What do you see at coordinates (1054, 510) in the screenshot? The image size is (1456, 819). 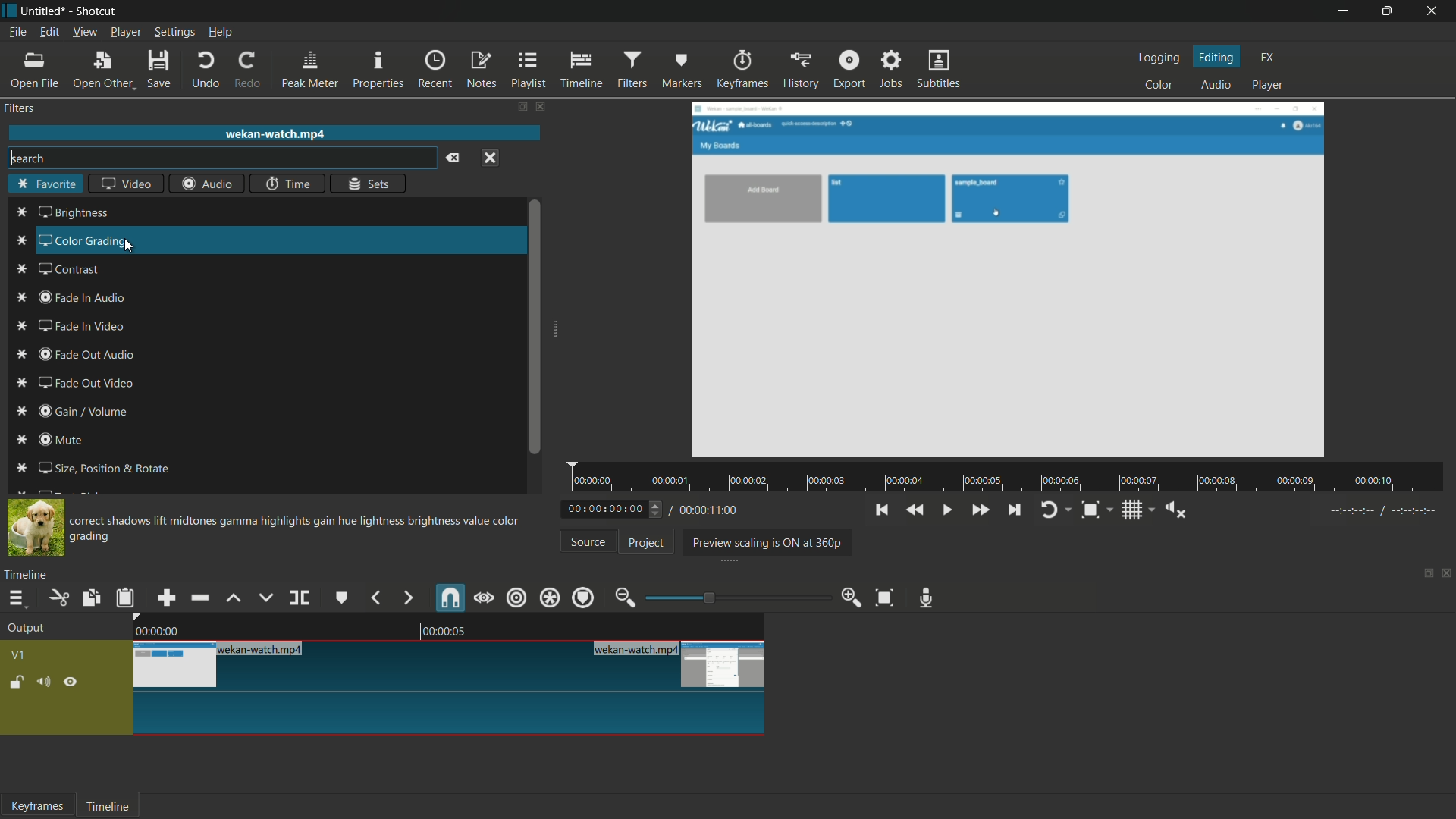 I see `toggle player looping` at bounding box center [1054, 510].